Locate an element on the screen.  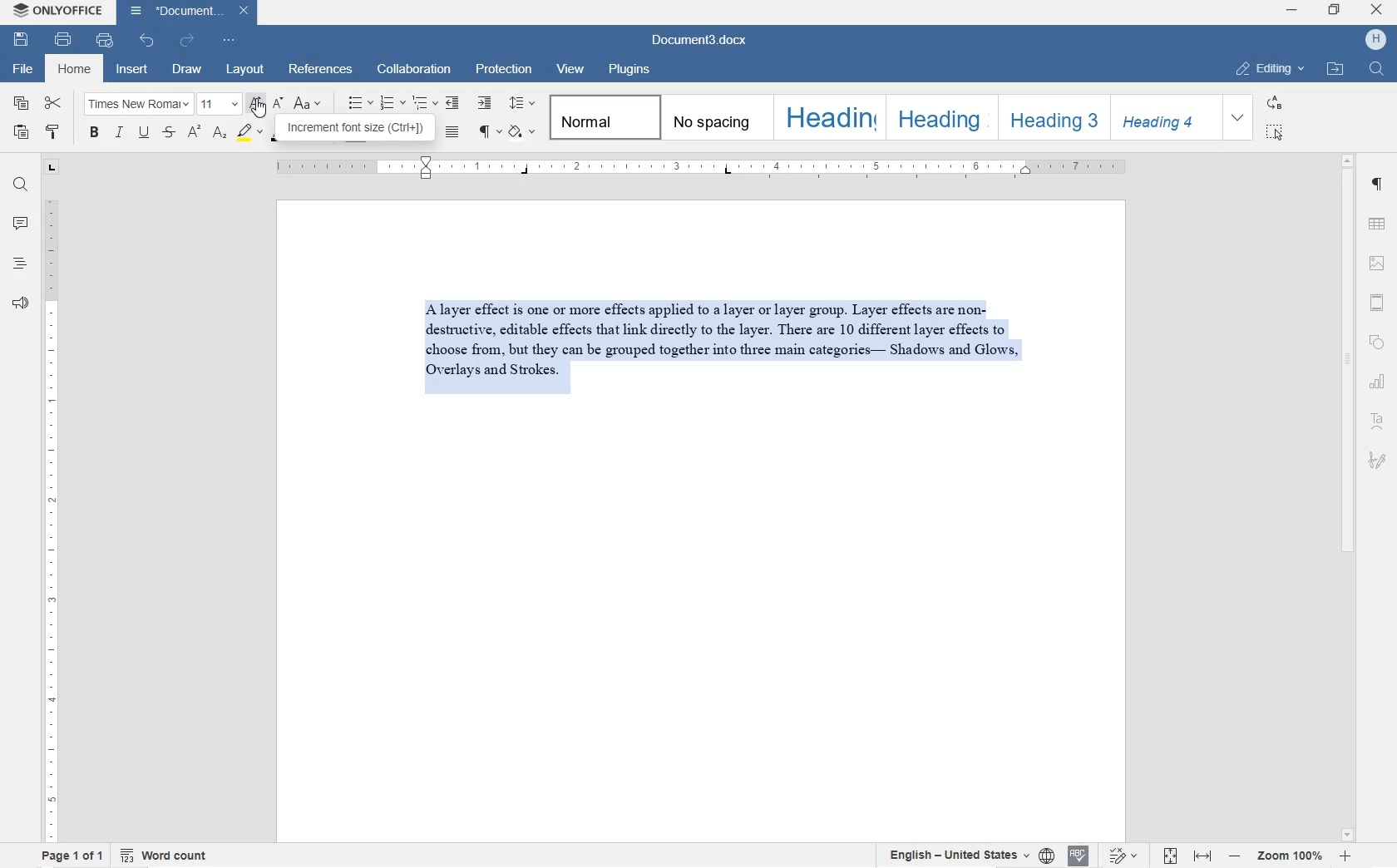
HEADERS & FOOTERS is located at coordinates (1379, 303).